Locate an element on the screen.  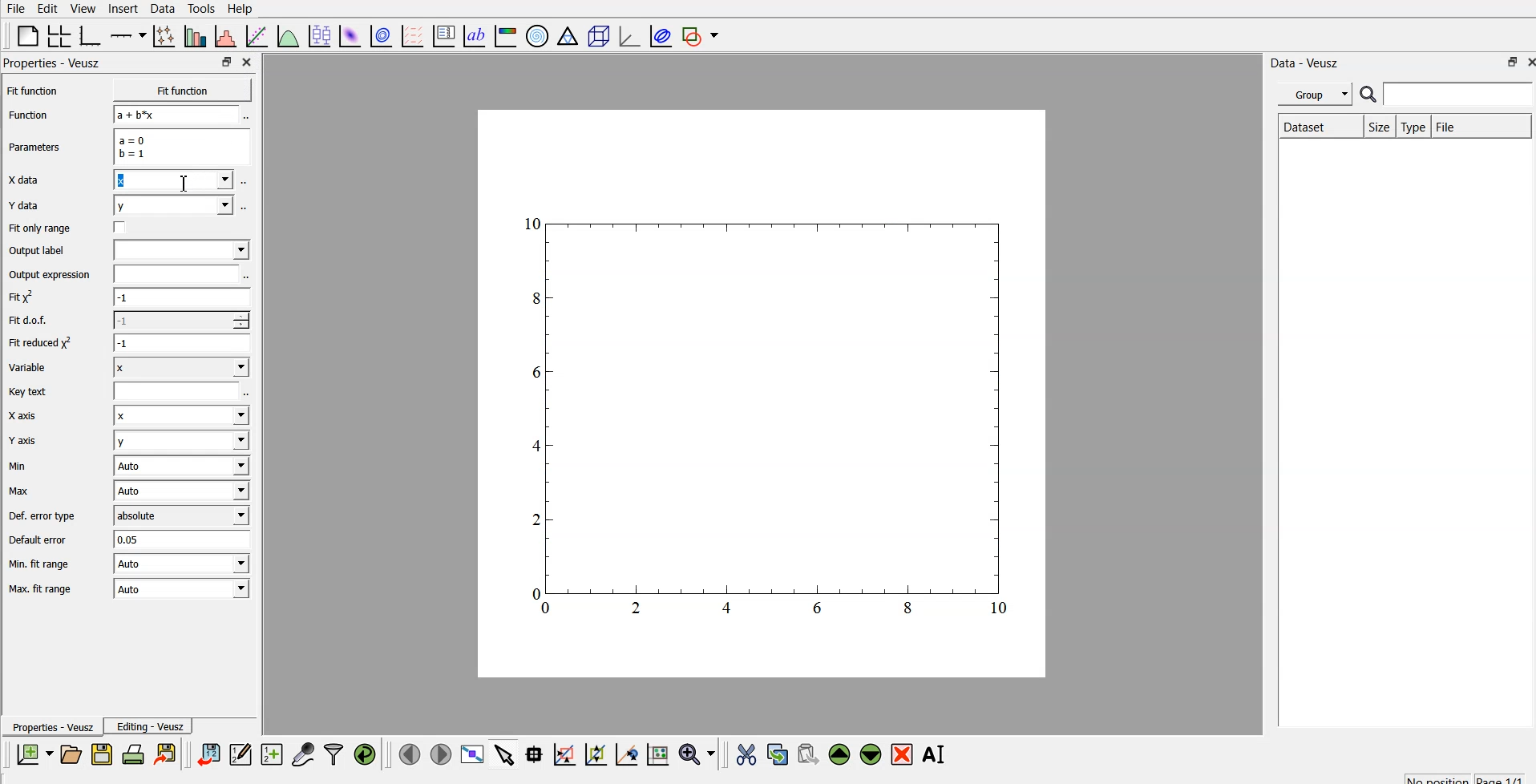
polar graph is located at coordinates (539, 37).